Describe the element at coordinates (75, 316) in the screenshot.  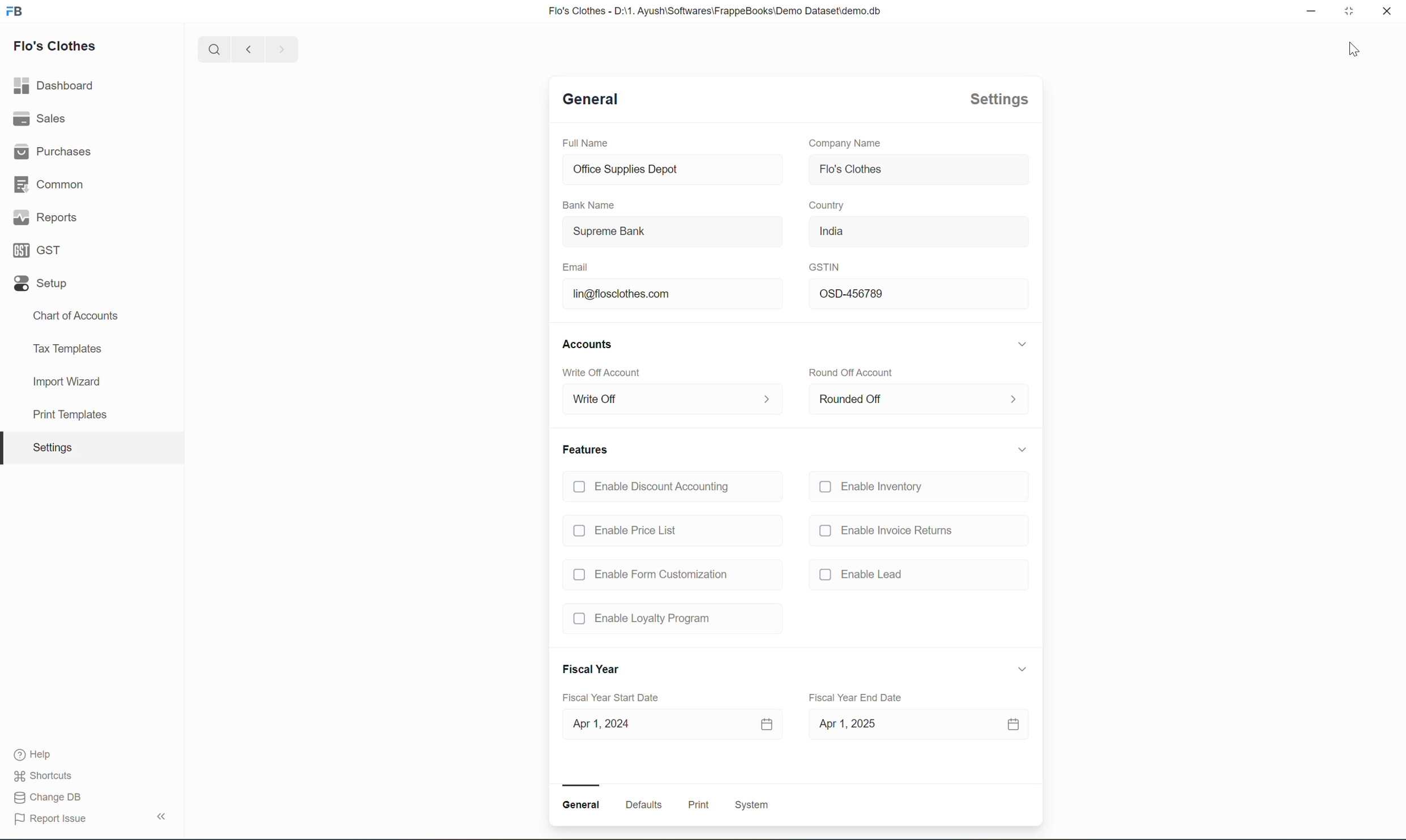
I see `Chart of Accounts` at that location.